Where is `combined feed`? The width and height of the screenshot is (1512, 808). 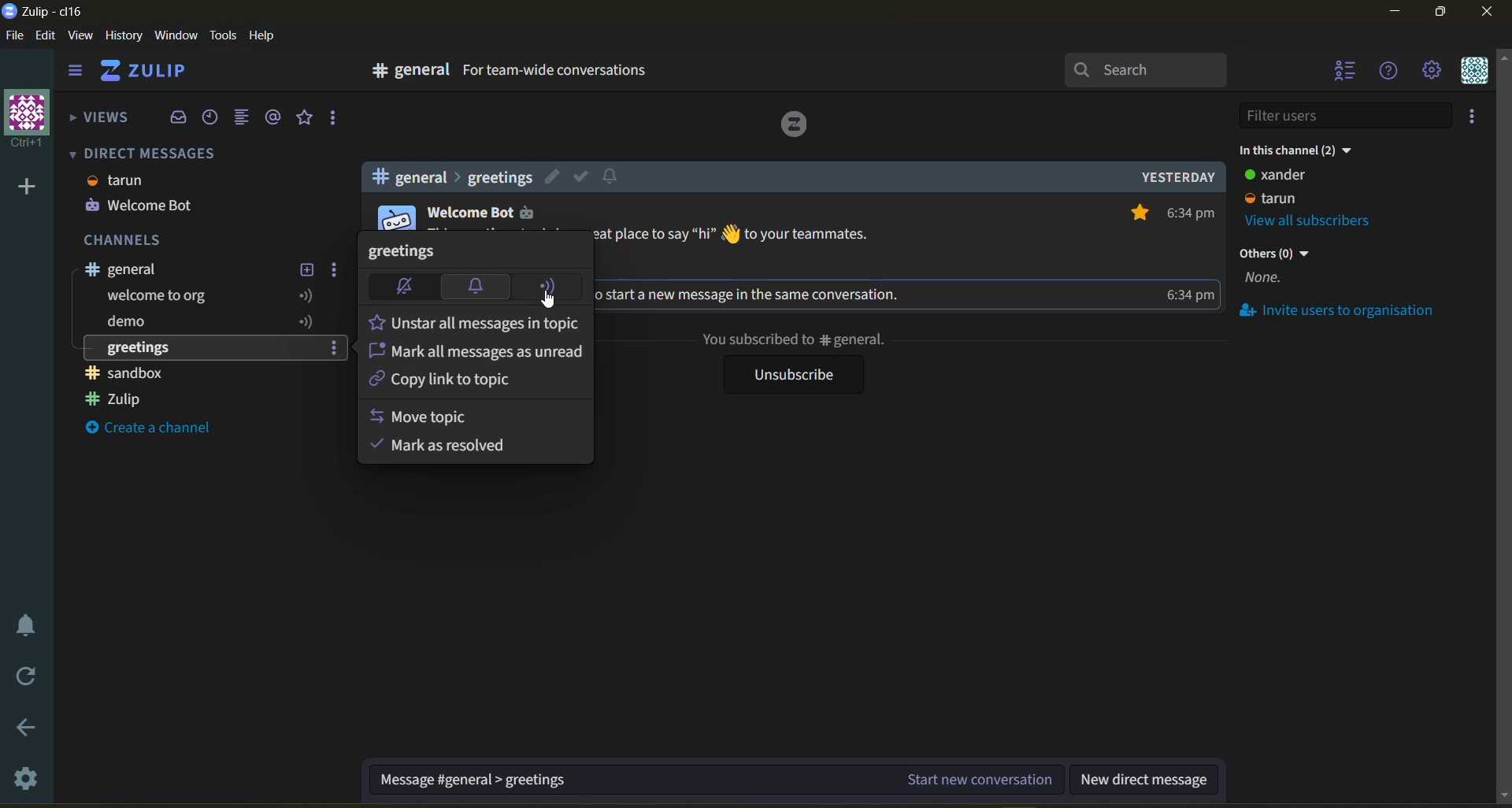 combined feed is located at coordinates (242, 117).